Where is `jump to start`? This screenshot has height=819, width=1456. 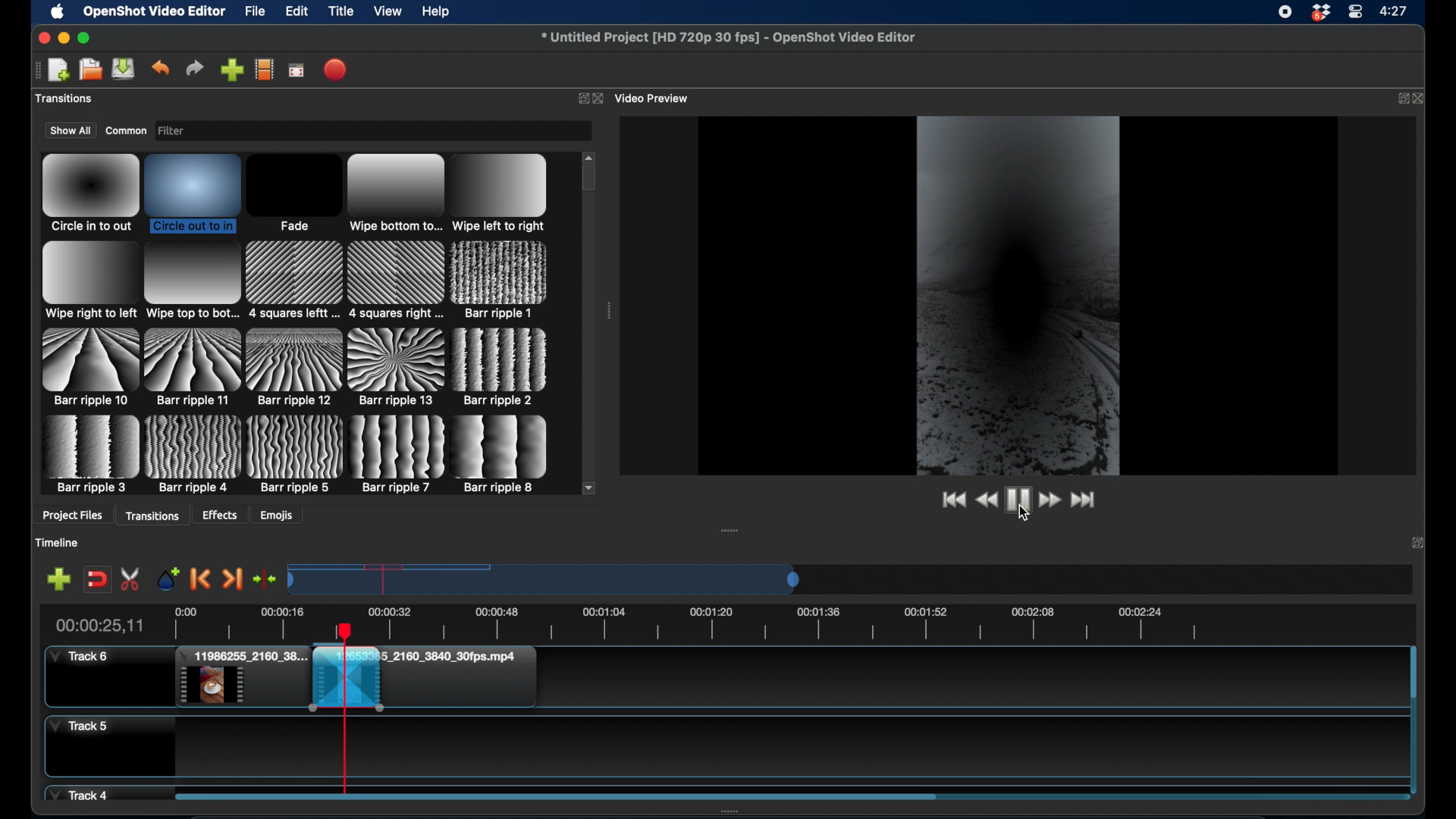 jump to start is located at coordinates (951, 499).